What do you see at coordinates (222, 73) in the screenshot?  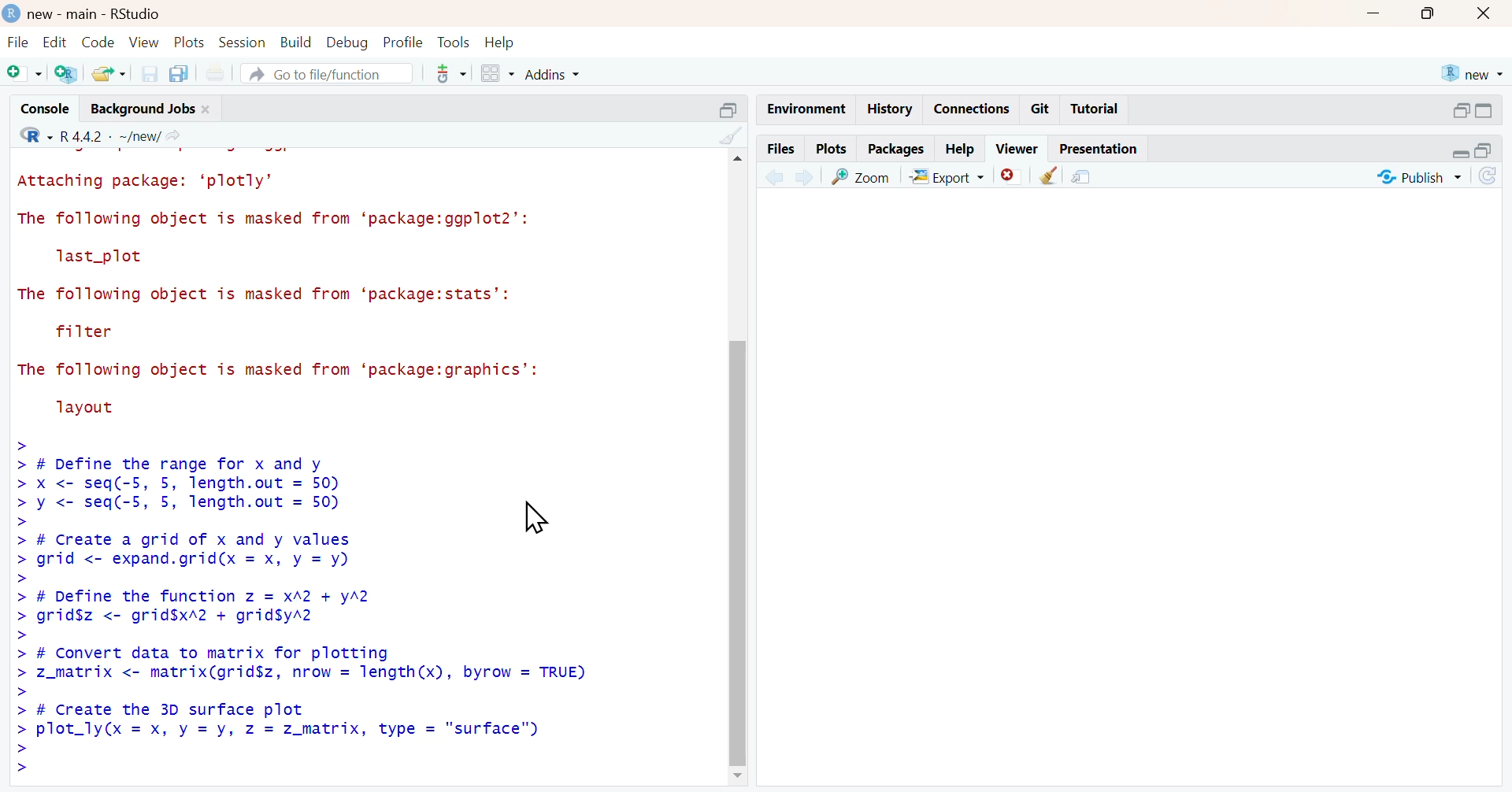 I see `print the current file` at bounding box center [222, 73].